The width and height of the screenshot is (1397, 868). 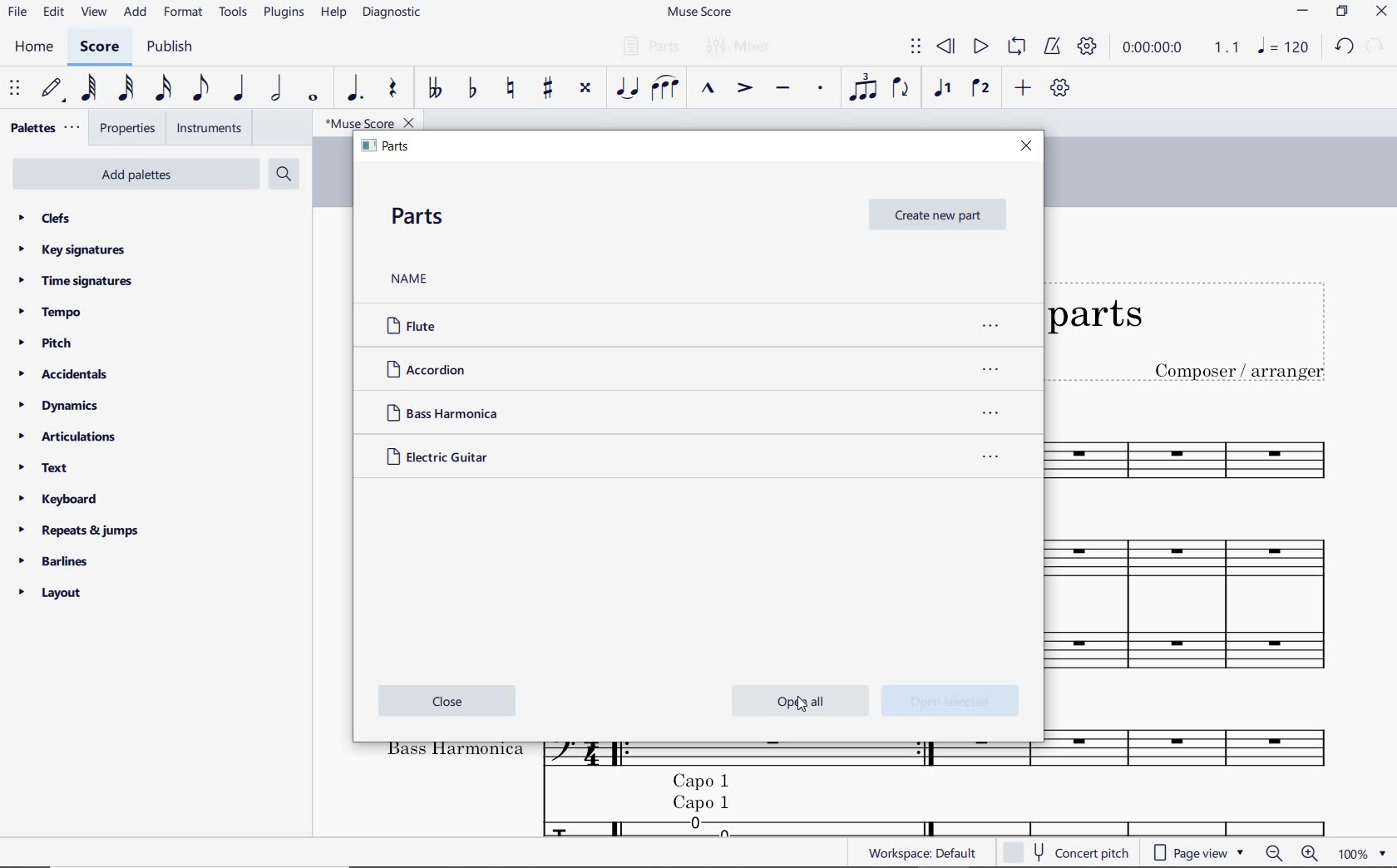 What do you see at coordinates (708, 90) in the screenshot?
I see `marcato` at bounding box center [708, 90].